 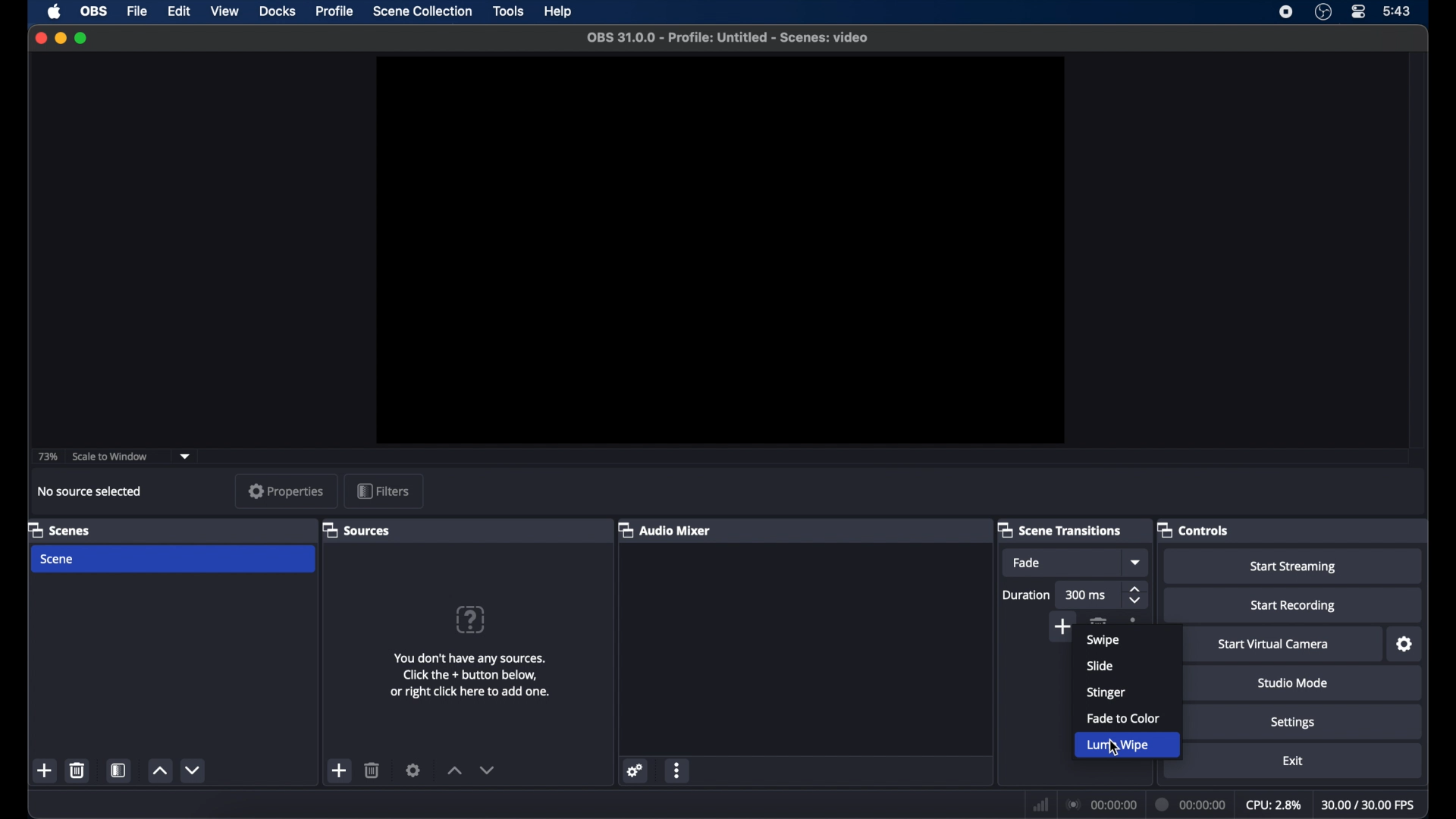 I want to click on exit, so click(x=1295, y=761).